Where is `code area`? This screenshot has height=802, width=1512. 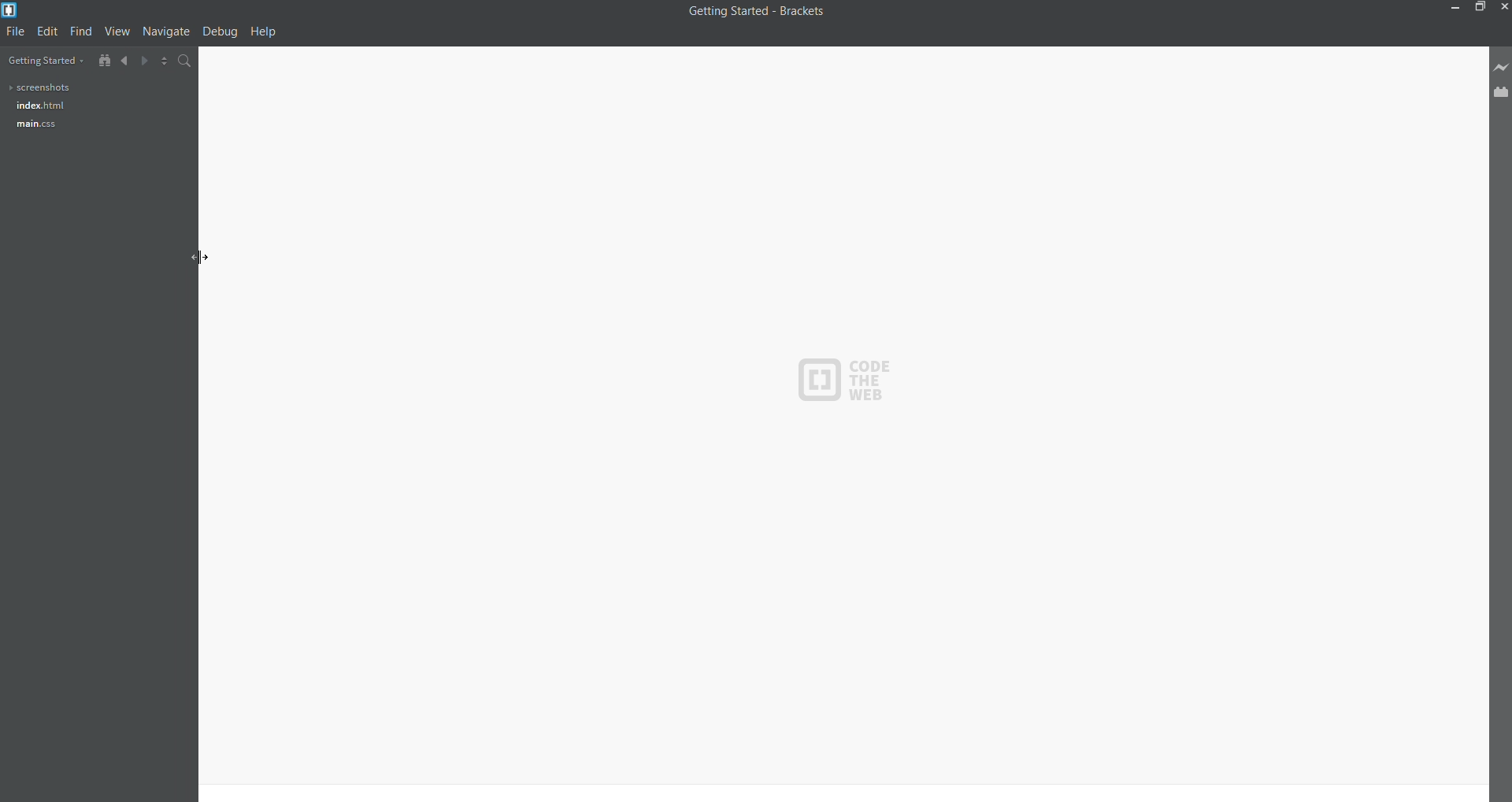 code area is located at coordinates (846, 425).